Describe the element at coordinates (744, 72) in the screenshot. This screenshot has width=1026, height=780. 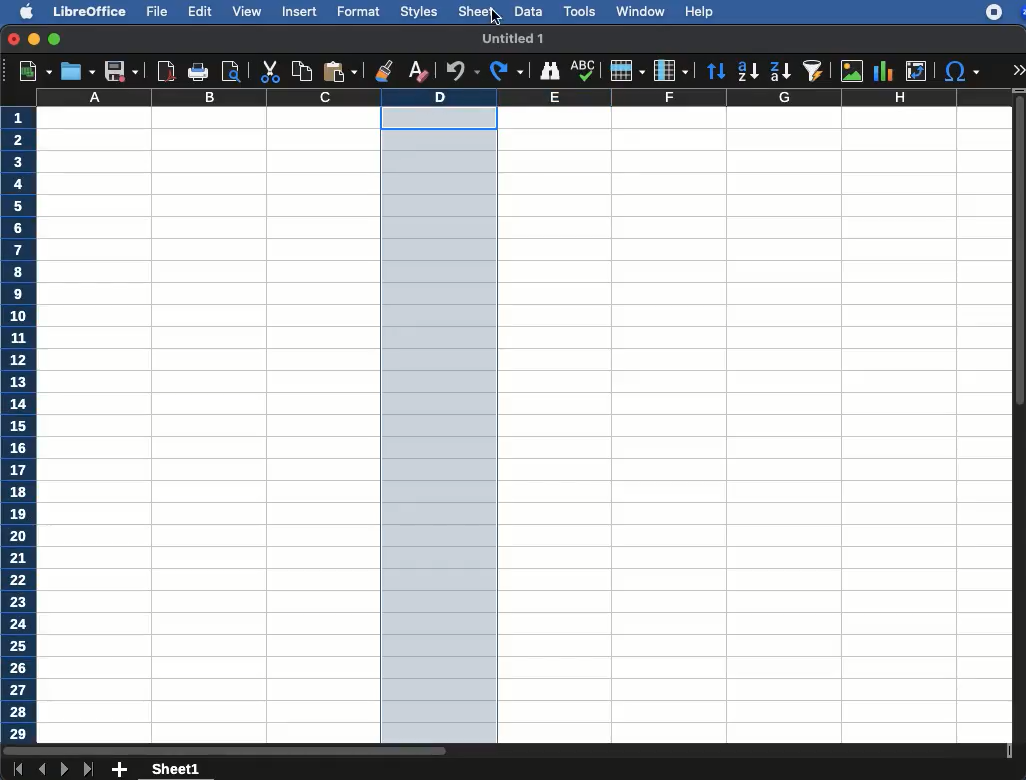
I see `ascending` at that location.